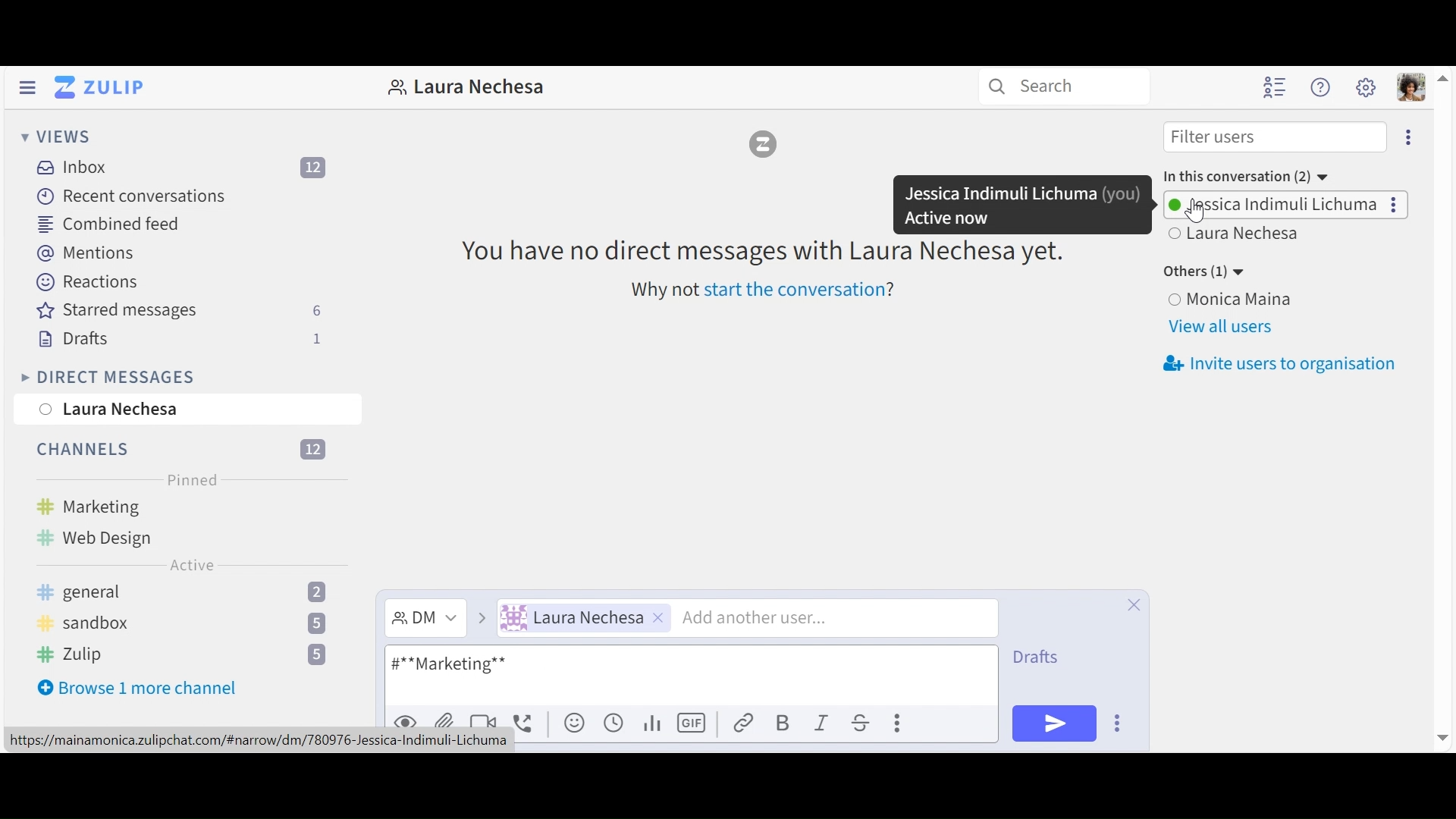  I want to click on Hide left Sidebar, so click(29, 87).